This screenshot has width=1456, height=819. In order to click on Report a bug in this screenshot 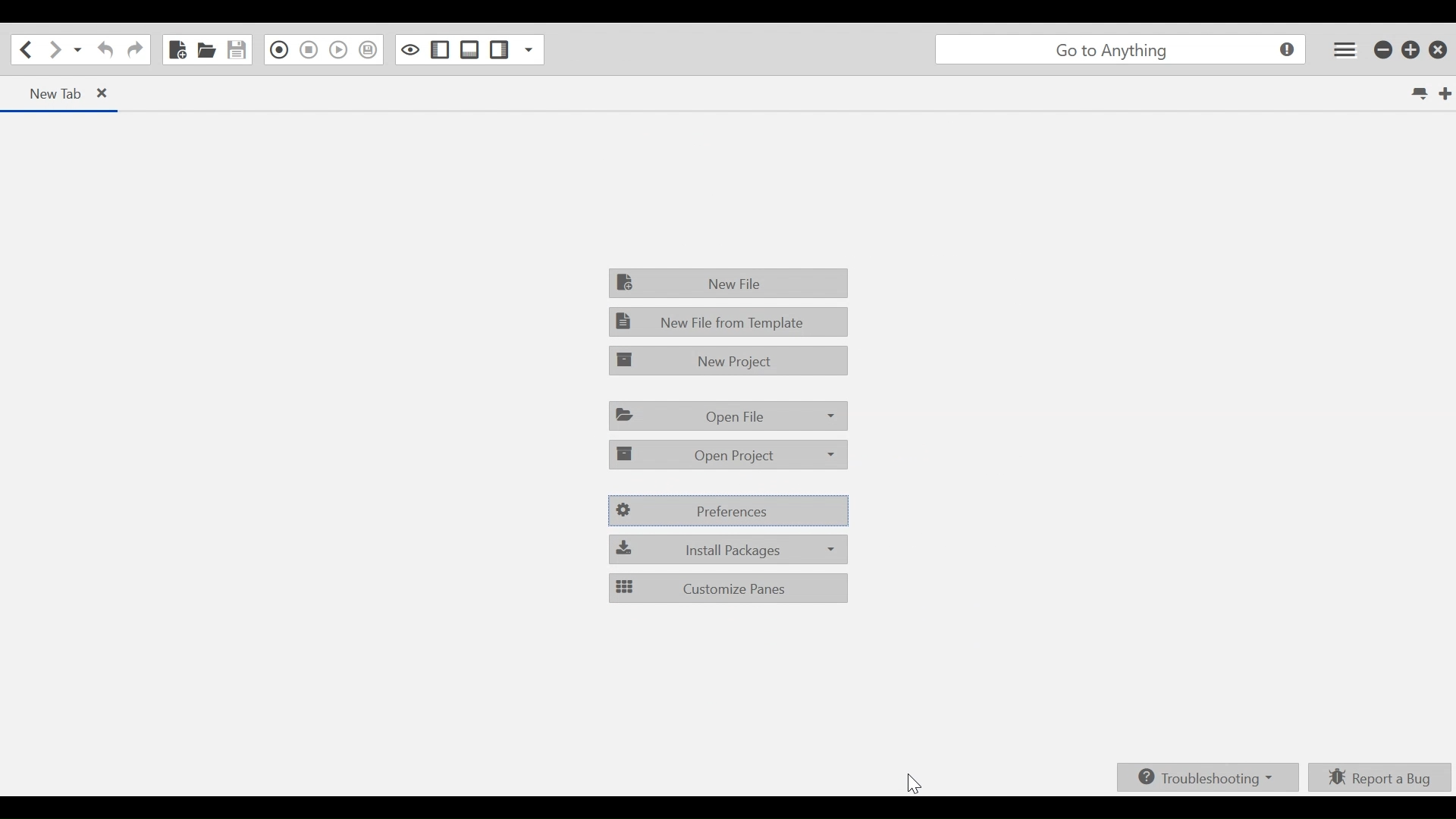, I will do `click(1377, 777)`.